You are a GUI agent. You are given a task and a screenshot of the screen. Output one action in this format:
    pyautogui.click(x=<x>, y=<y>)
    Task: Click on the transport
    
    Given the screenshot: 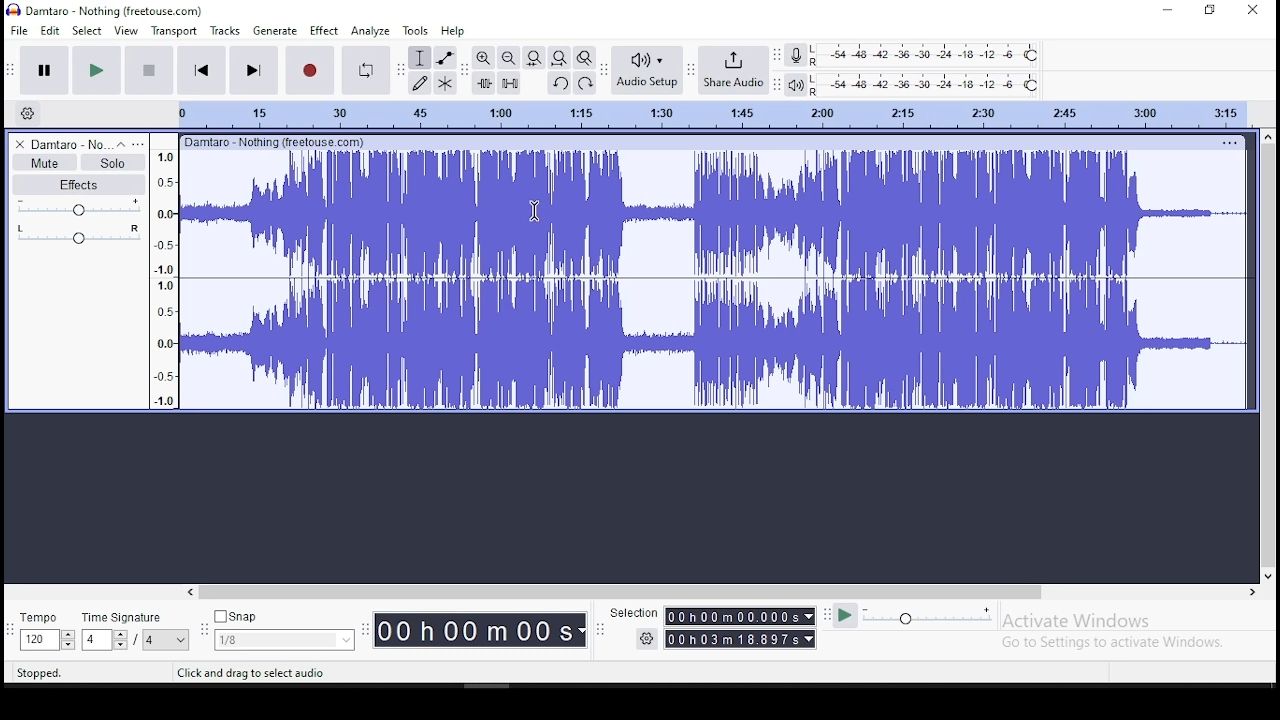 What is the action you would take?
    pyautogui.click(x=173, y=30)
    